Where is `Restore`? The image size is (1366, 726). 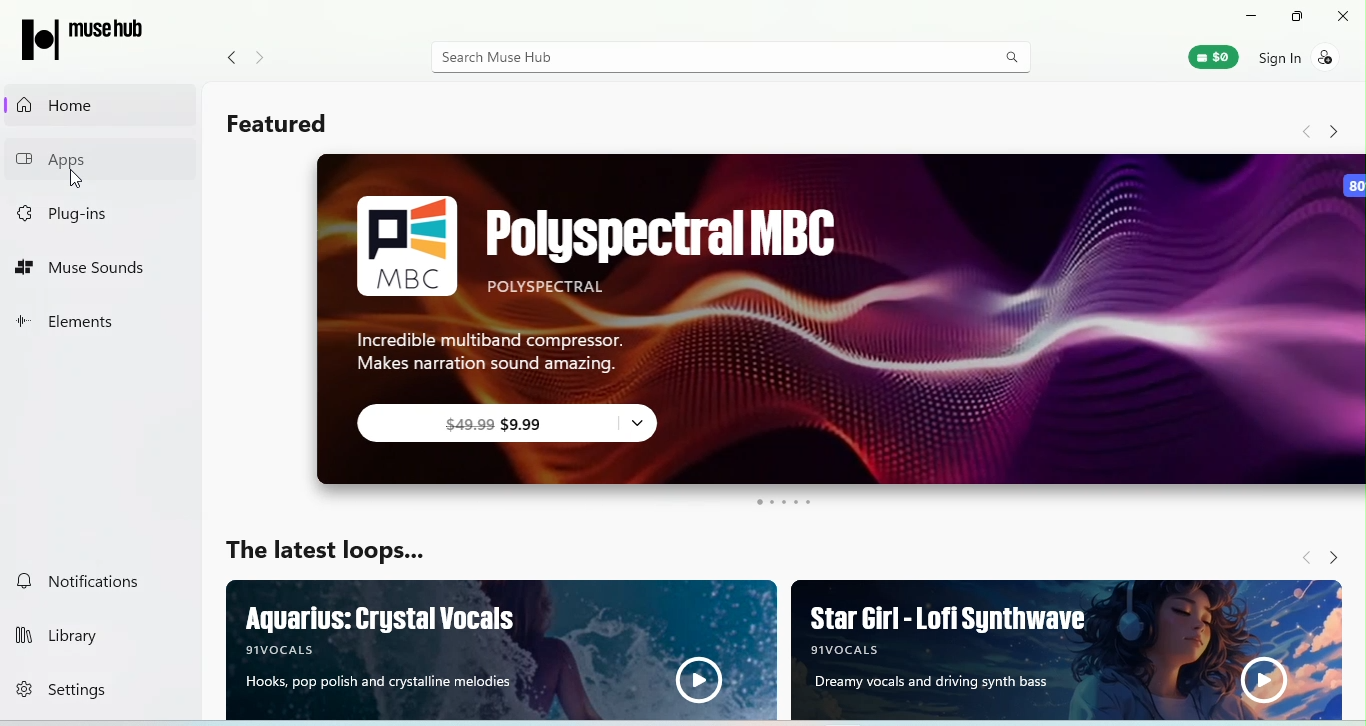
Restore is located at coordinates (1293, 17).